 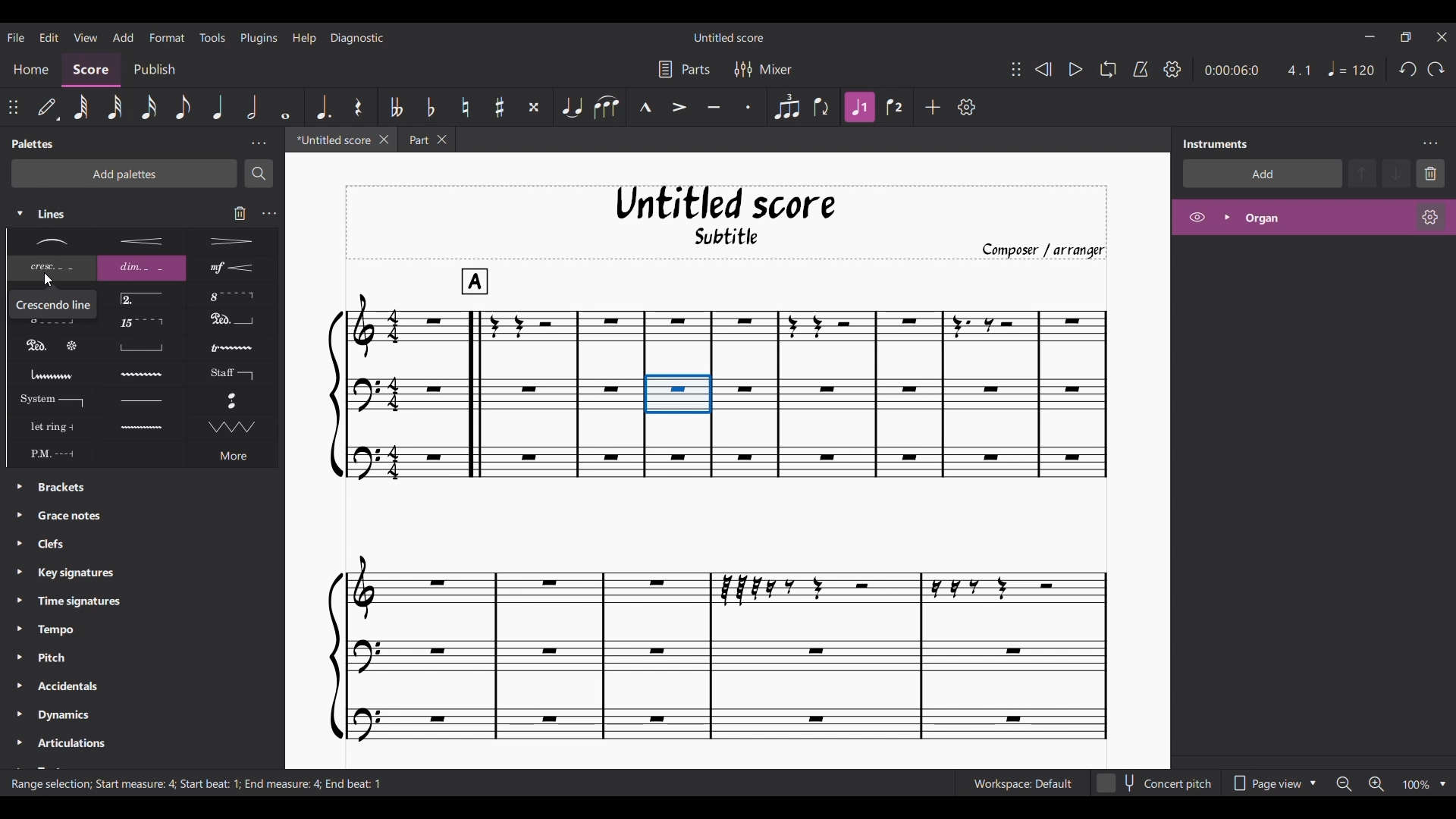 What do you see at coordinates (430, 107) in the screenshot?
I see `Toggle flat` at bounding box center [430, 107].